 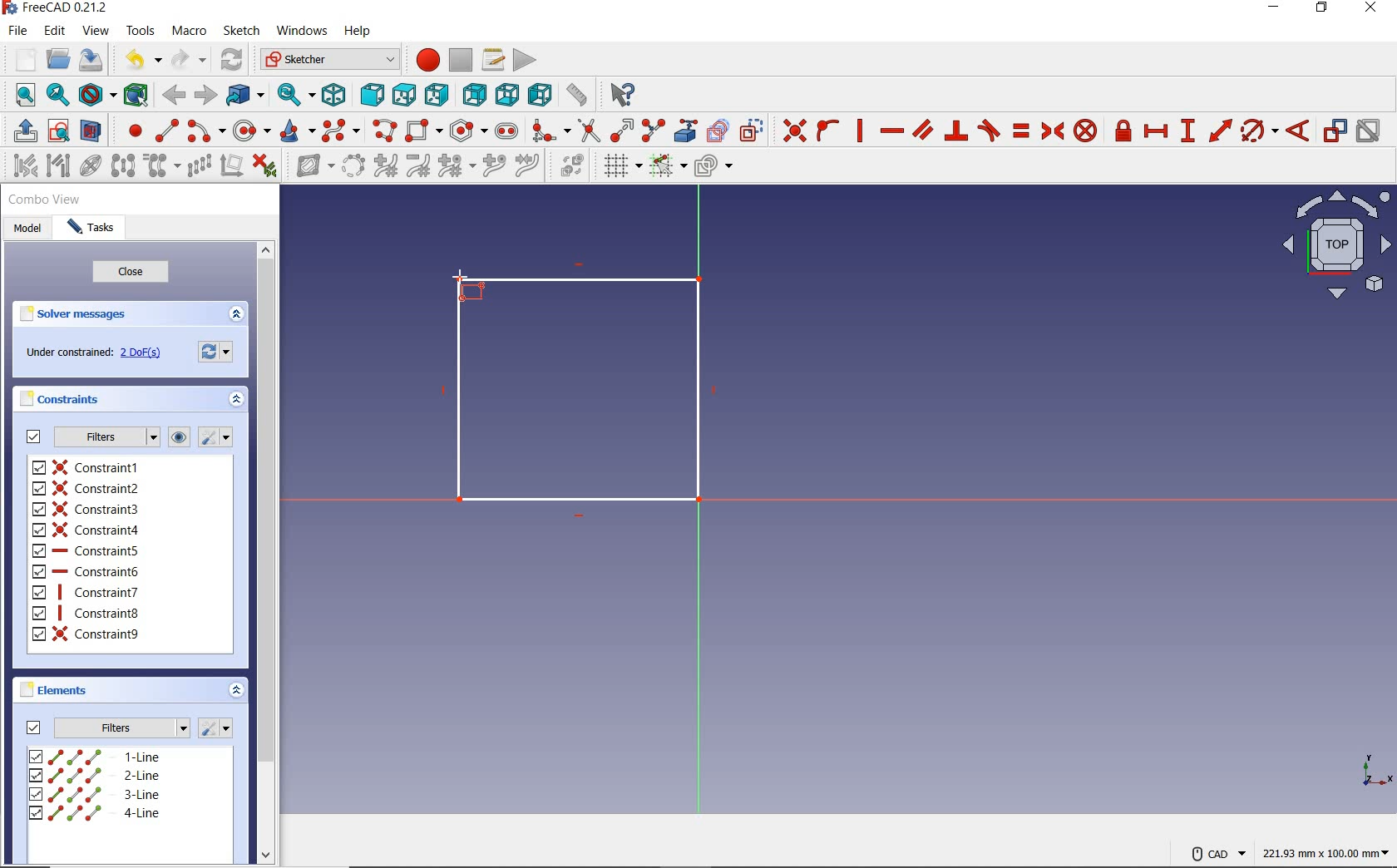 What do you see at coordinates (180, 437) in the screenshot?
I see `show/hide all listed constraints from3D view` at bounding box center [180, 437].